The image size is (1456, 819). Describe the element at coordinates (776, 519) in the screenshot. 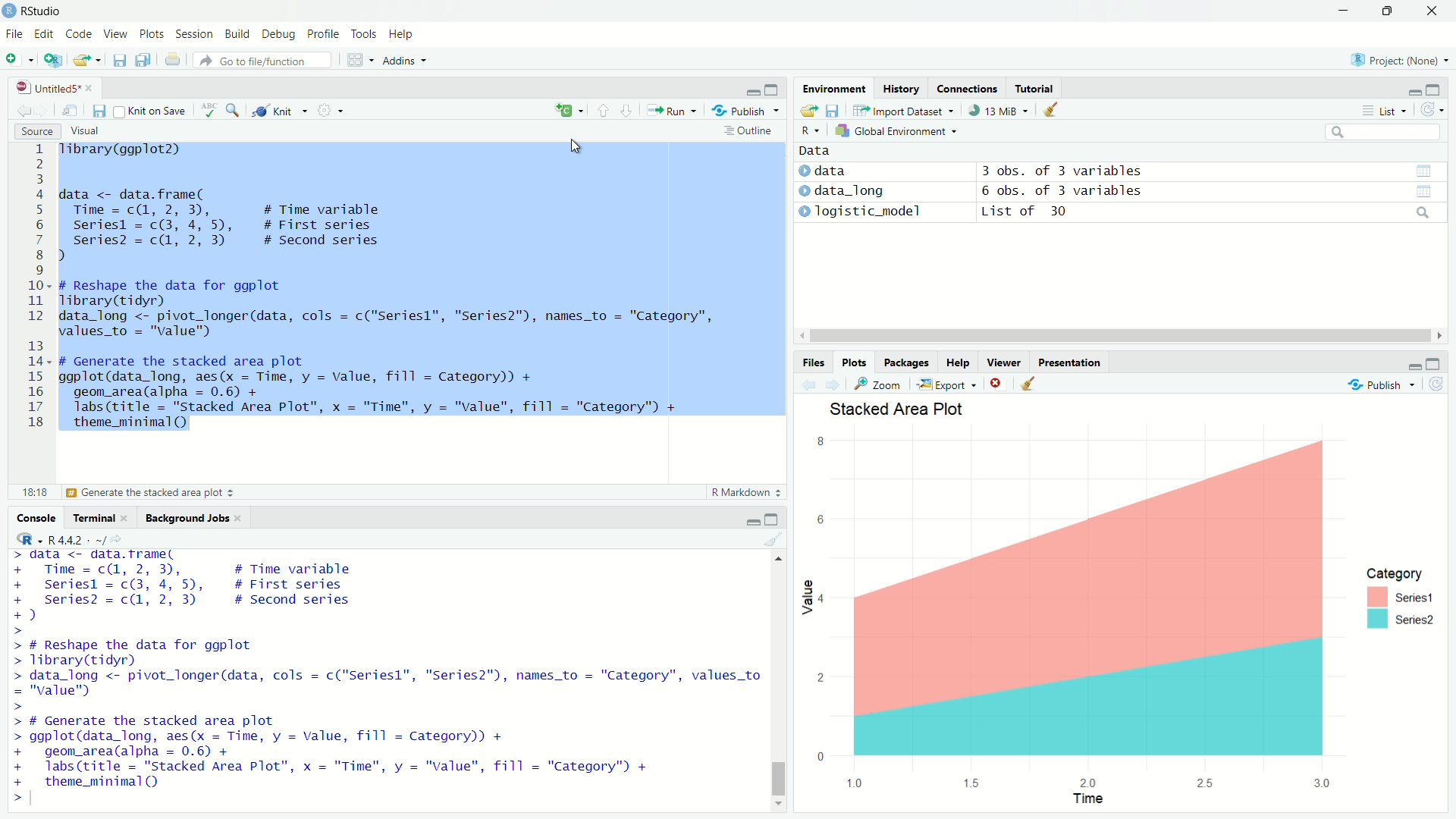

I see `maximise` at that location.